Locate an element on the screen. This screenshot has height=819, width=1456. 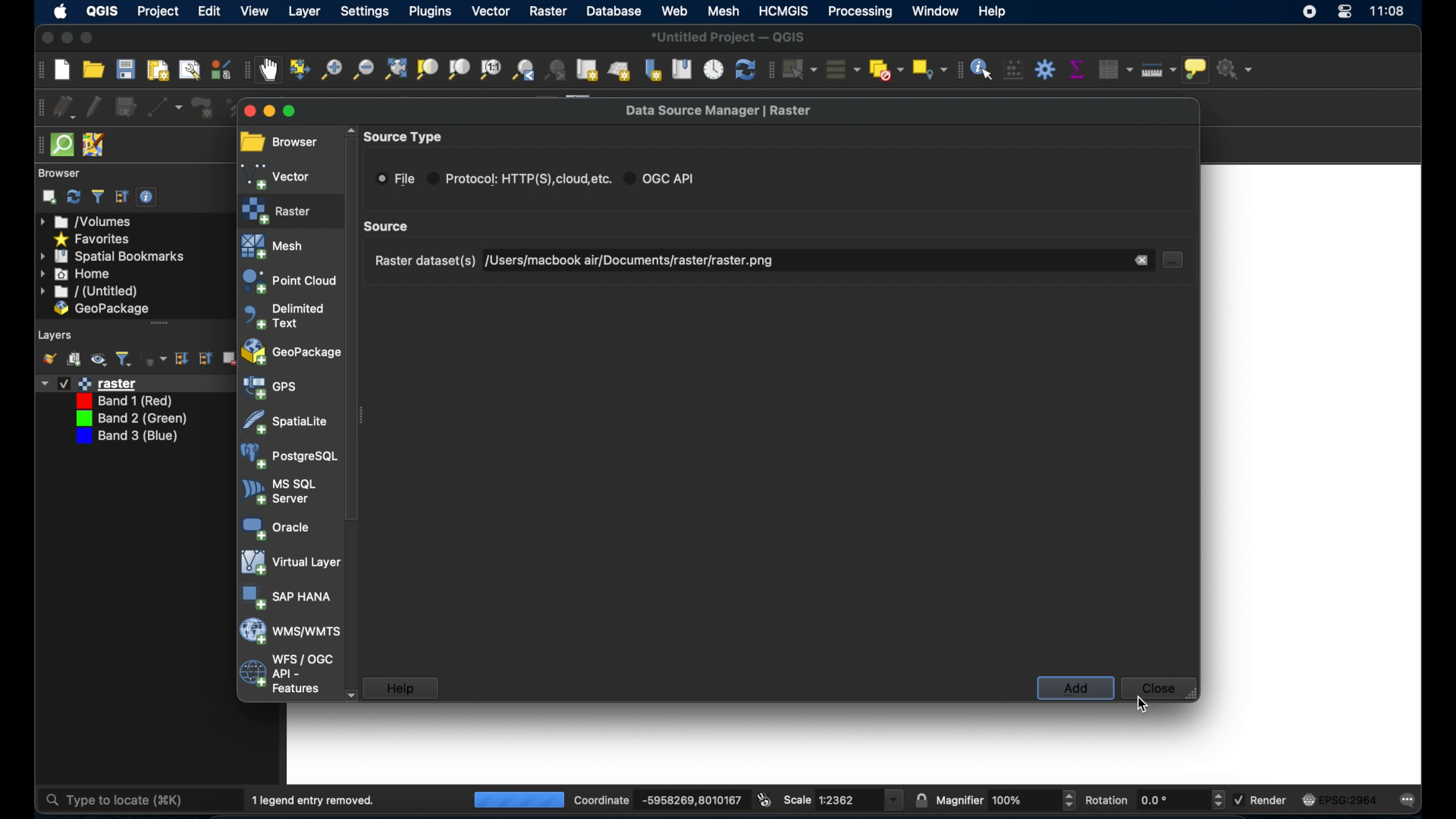
zoom to native resolution is located at coordinates (491, 69).